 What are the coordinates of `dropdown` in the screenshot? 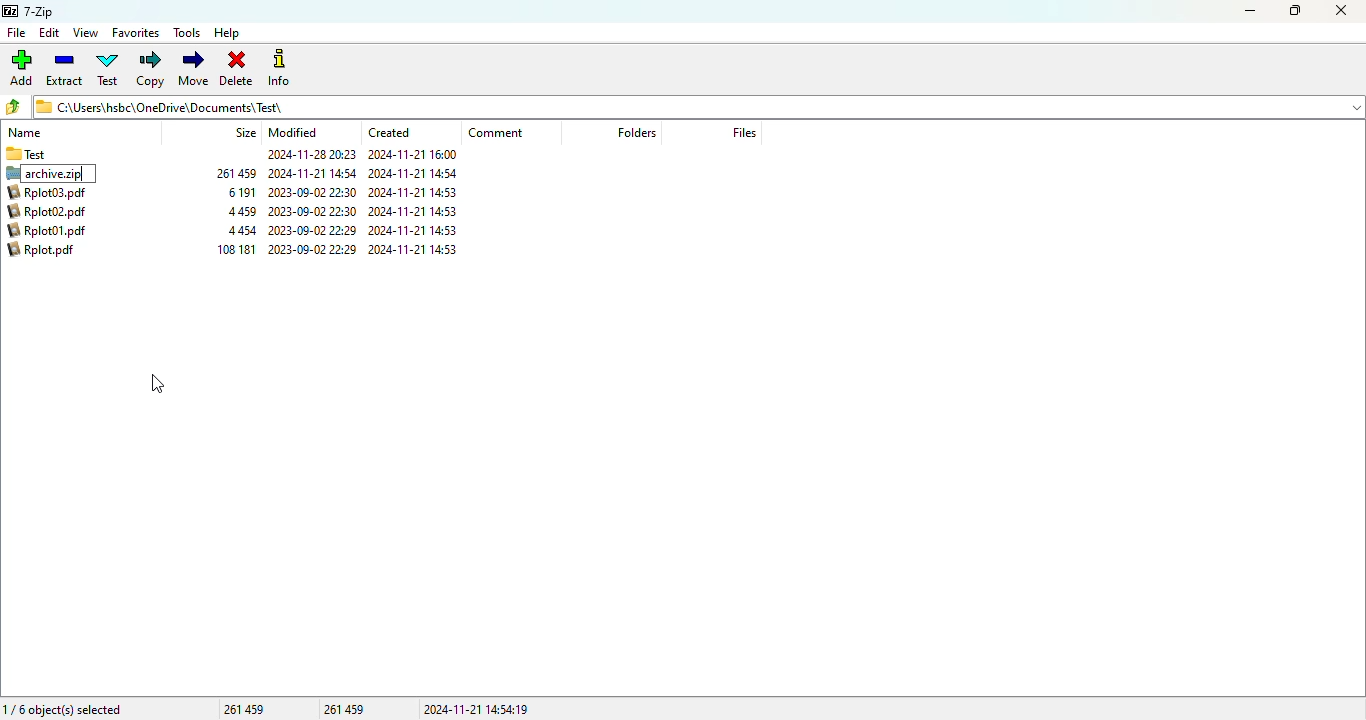 It's located at (1357, 106).